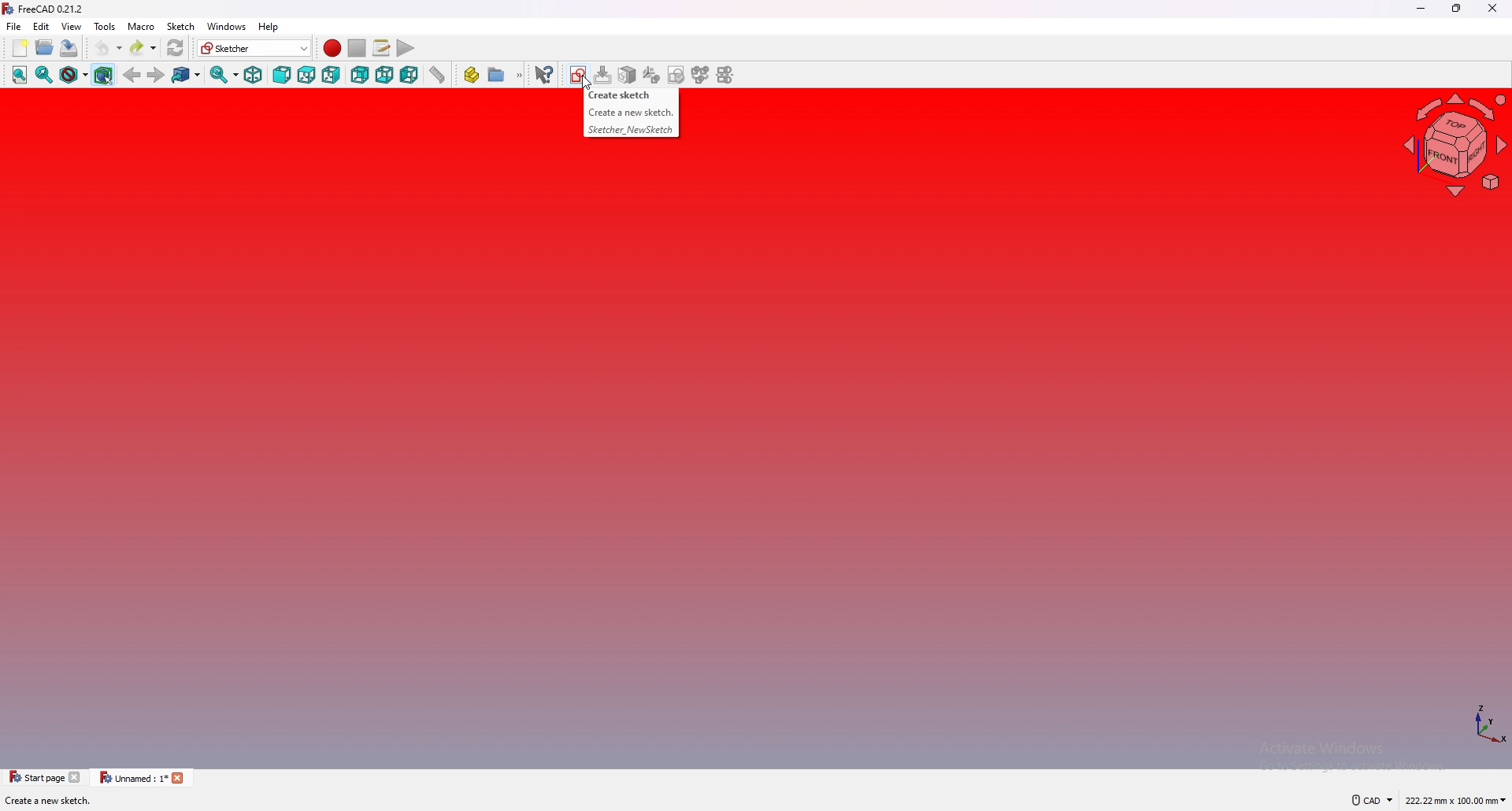 This screenshot has width=1512, height=811. Describe the element at coordinates (438, 75) in the screenshot. I see `measure distance` at that location.